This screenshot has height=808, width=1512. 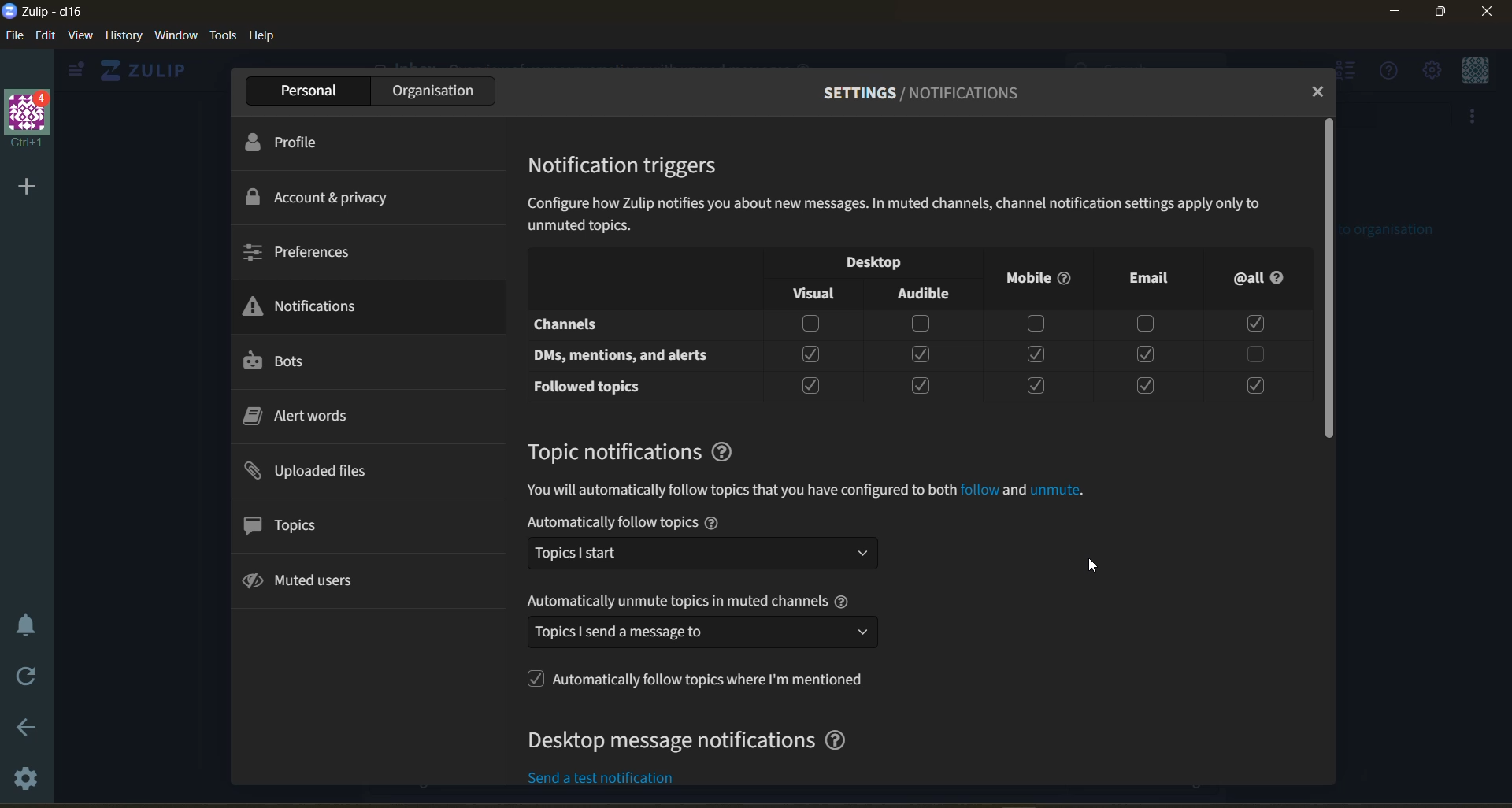 What do you see at coordinates (696, 634) in the screenshot?
I see `send meesage dropdown` at bounding box center [696, 634].